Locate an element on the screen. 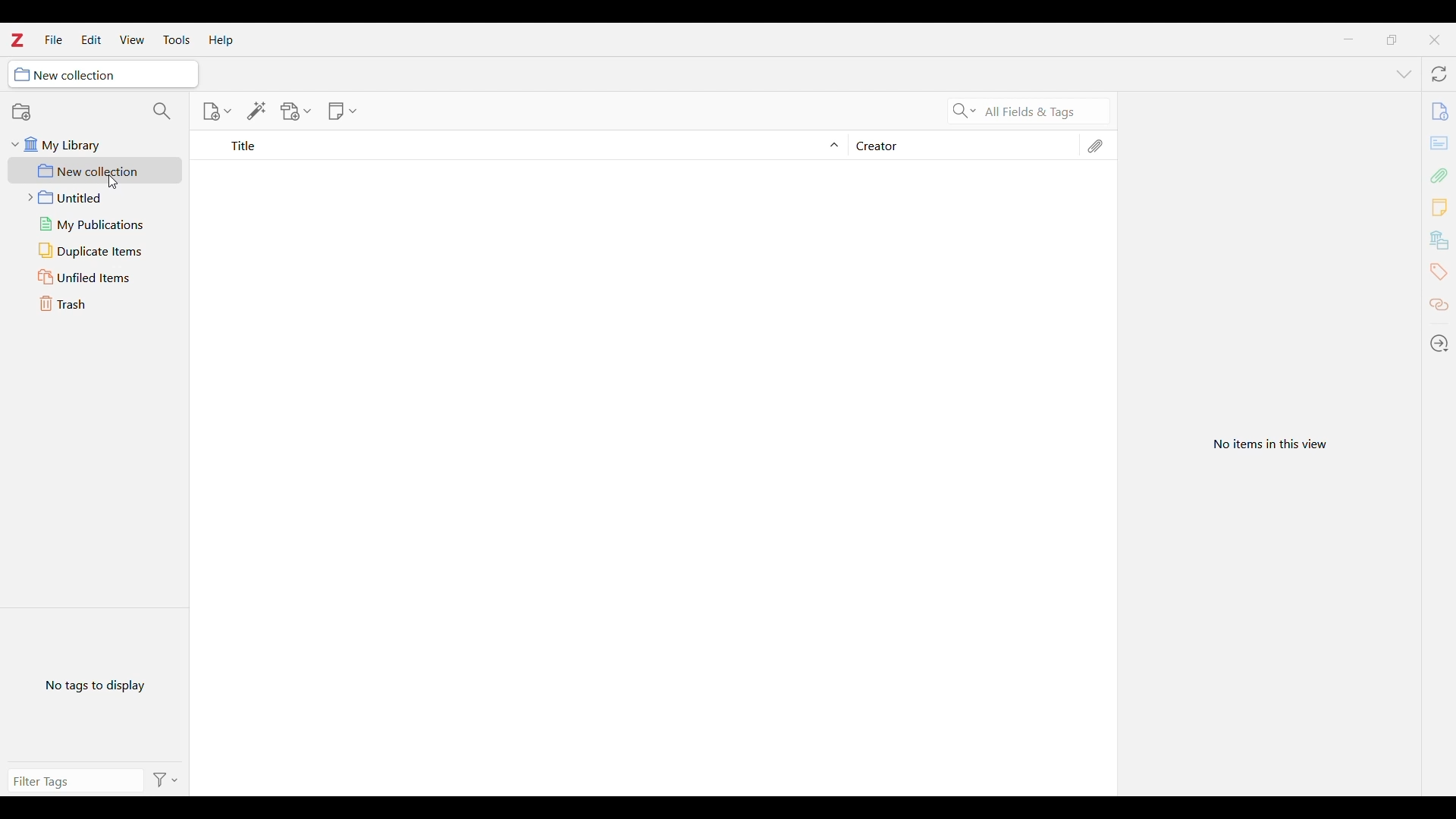 The width and height of the screenshot is (1456, 819). cards is located at coordinates (1441, 145).